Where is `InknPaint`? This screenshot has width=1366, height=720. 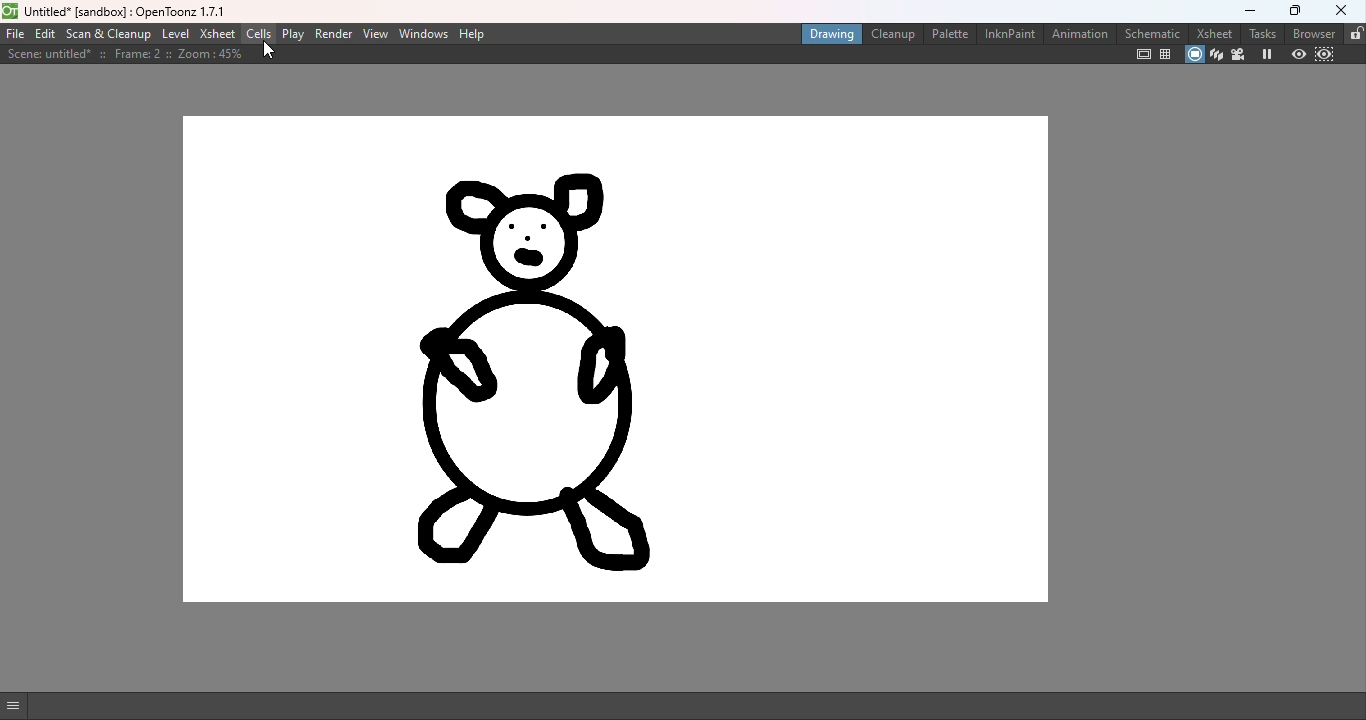
InknPaint is located at coordinates (1008, 34).